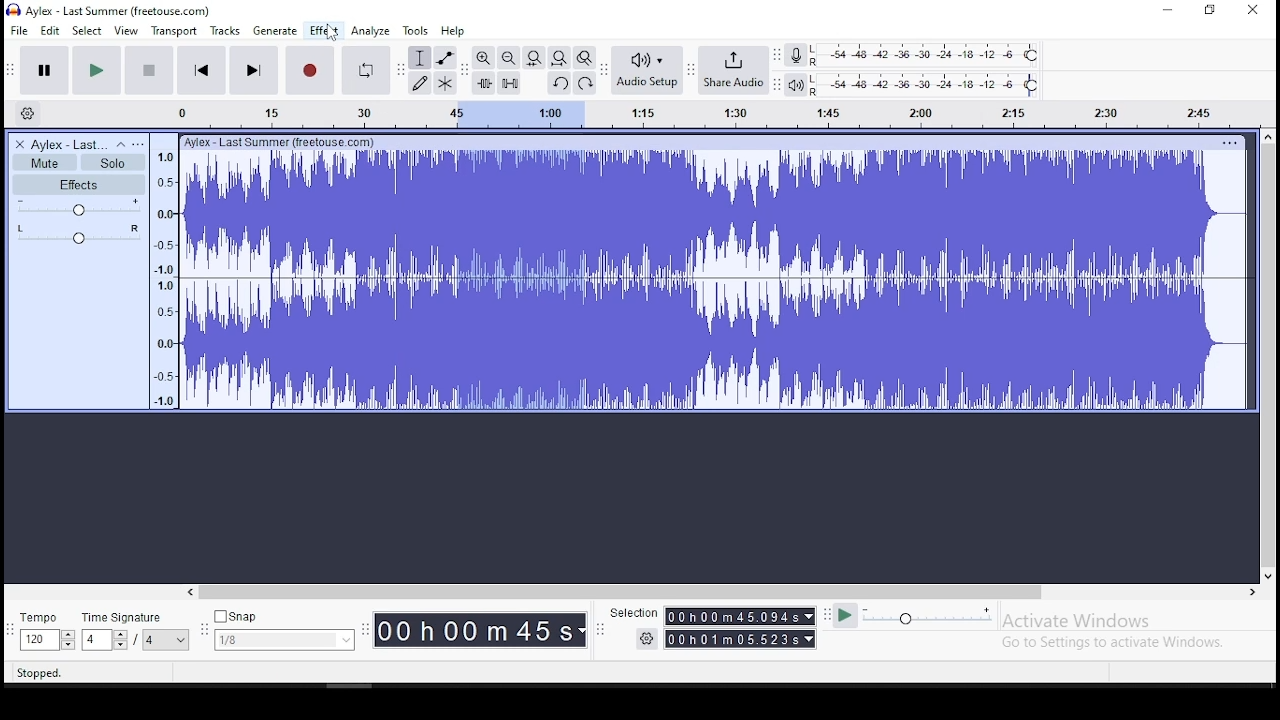 The height and width of the screenshot is (720, 1280). What do you see at coordinates (286, 631) in the screenshot?
I see `snap` at bounding box center [286, 631].